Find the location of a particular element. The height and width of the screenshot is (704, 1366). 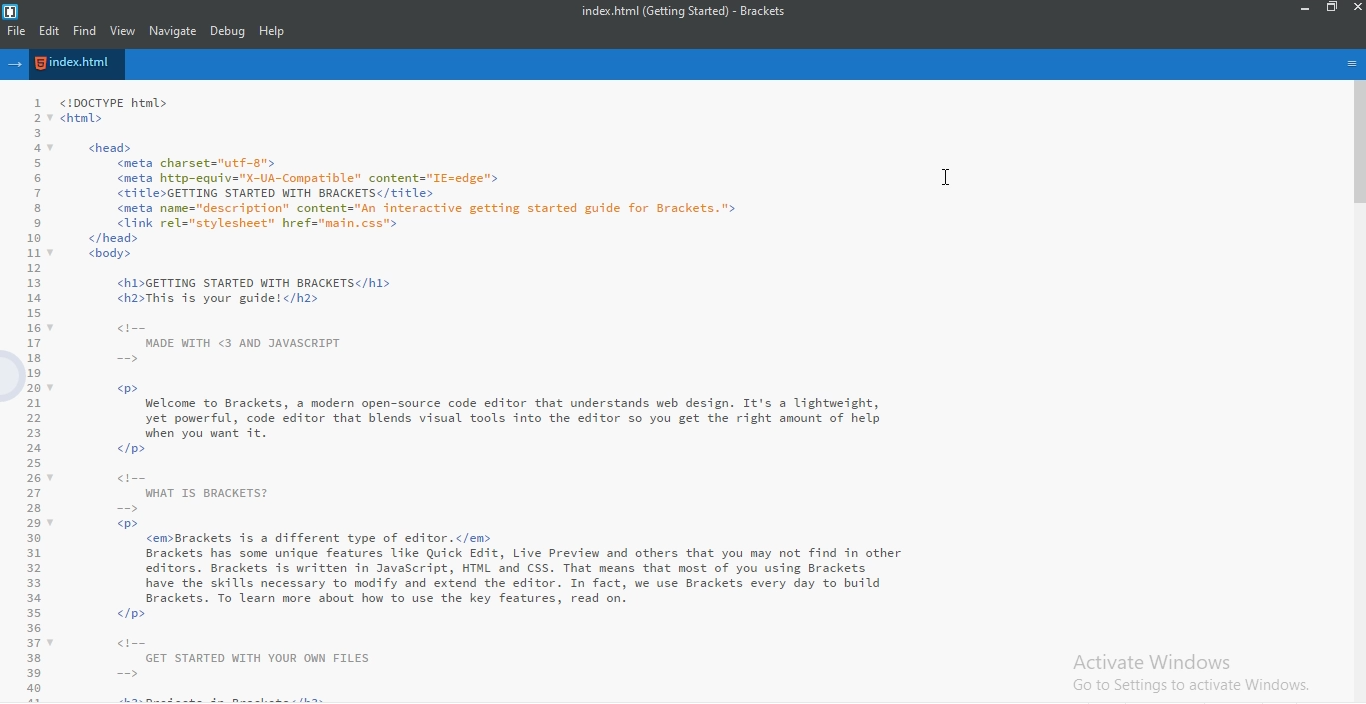

minimize is located at coordinates (1306, 8).